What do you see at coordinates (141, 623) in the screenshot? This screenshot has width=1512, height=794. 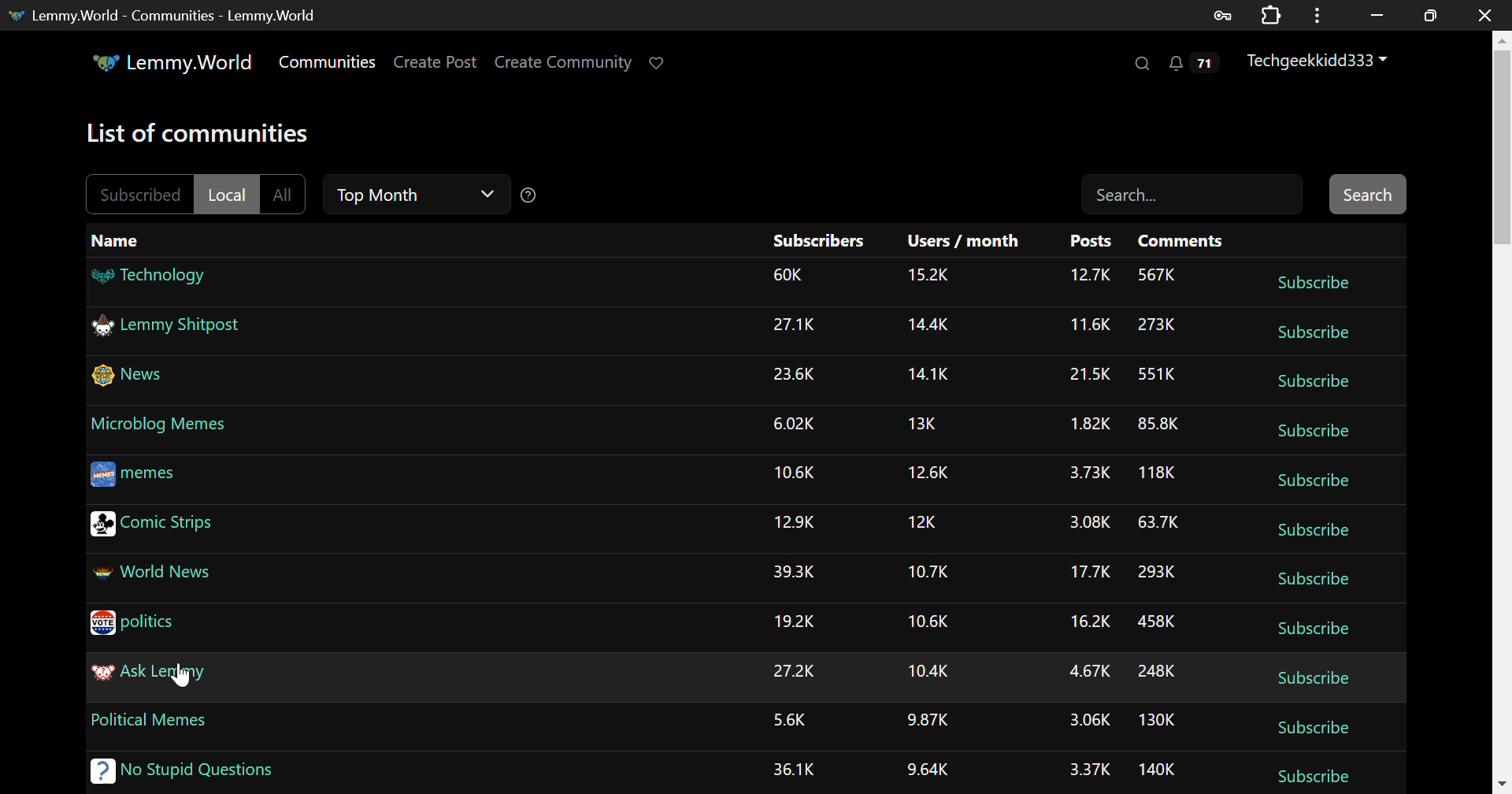 I see `politics Community` at bounding box center [141, 623].